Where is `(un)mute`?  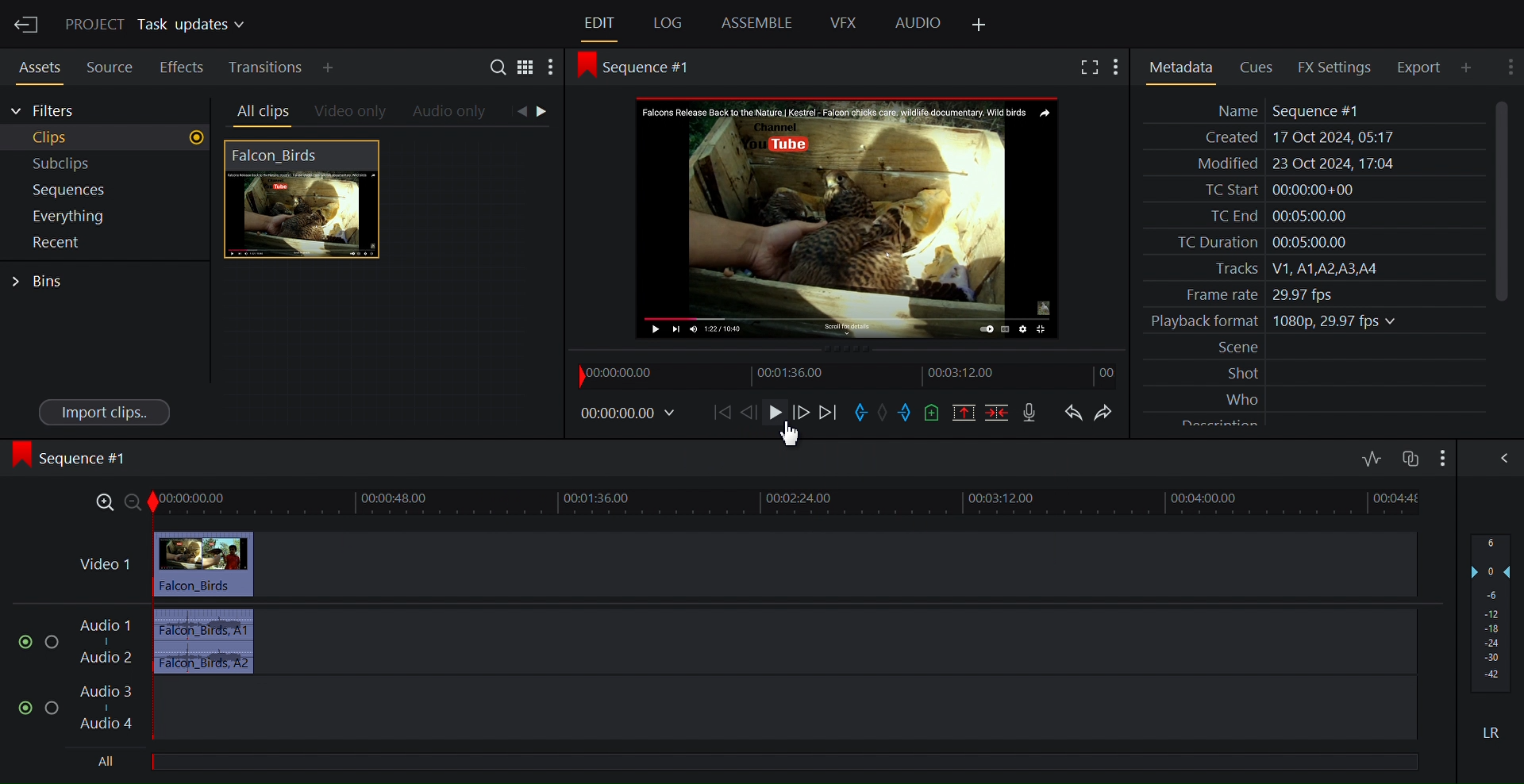 (un)mute is located at coordinates (26, 643).